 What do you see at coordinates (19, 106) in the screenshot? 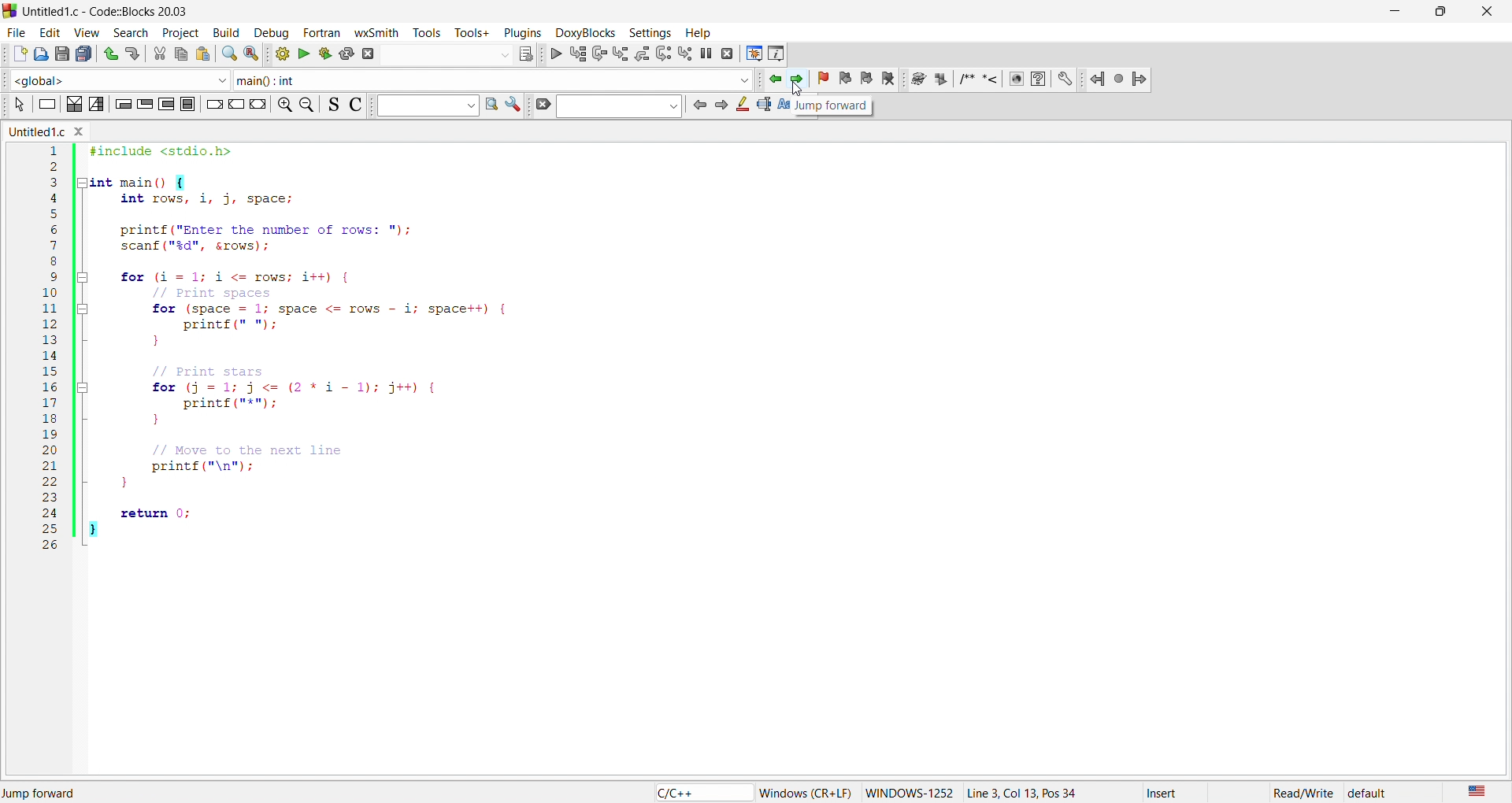
I see `icon` at bounding box center [19, 106].